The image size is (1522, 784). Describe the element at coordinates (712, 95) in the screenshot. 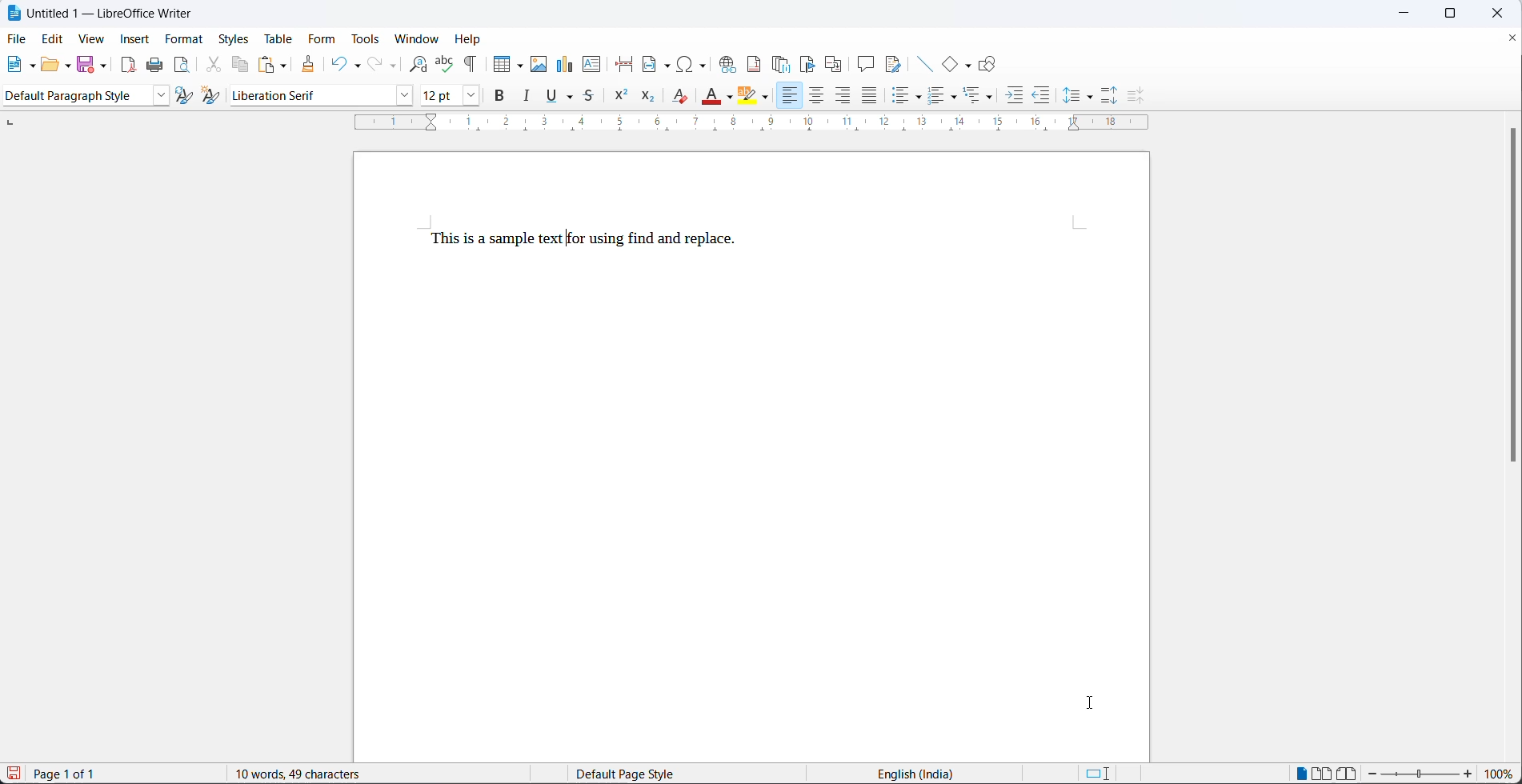

I see `font color` at that location.